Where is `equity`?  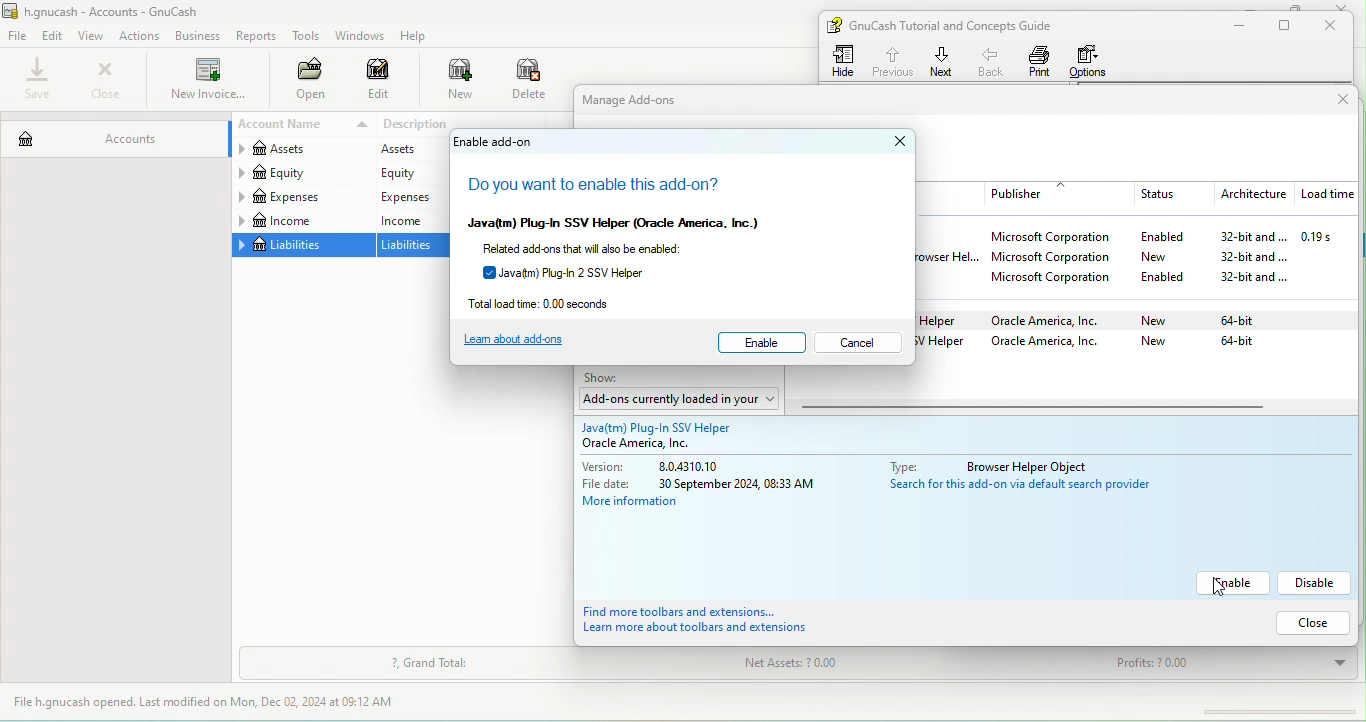 equity is located at coordinates (301, 174).